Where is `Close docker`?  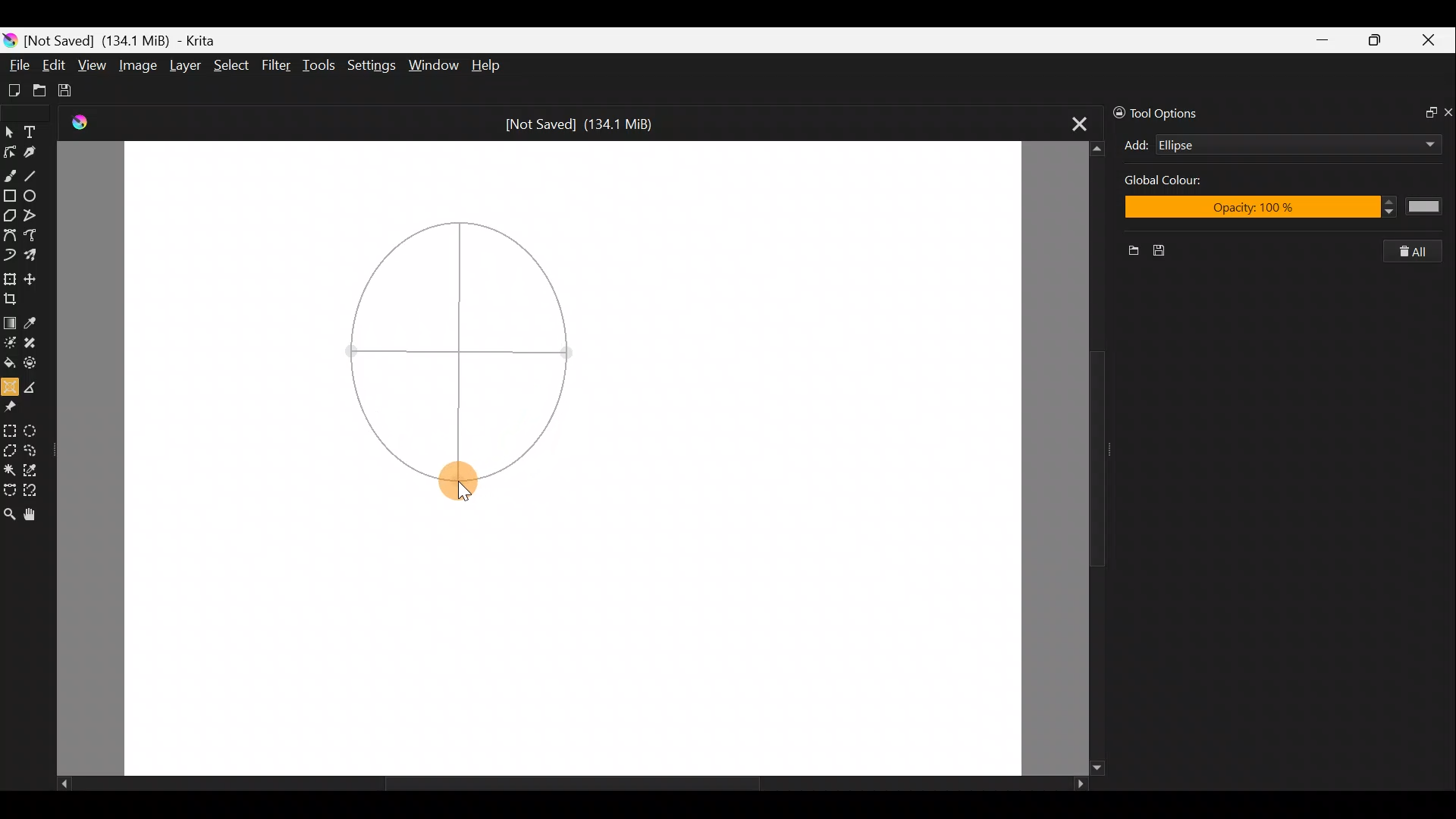 Close docker is located at coordinates (1447, 111).